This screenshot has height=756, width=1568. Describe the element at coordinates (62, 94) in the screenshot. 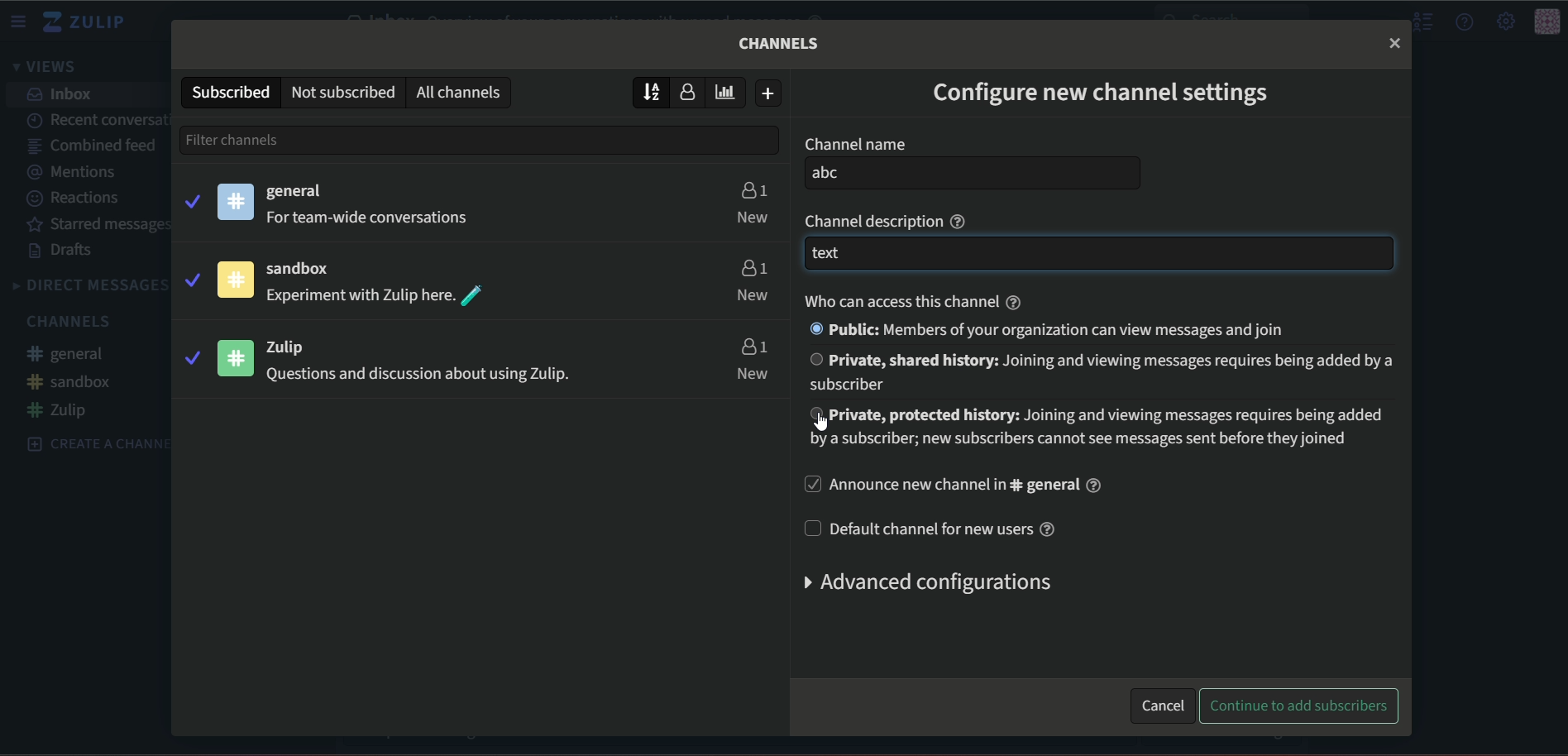

I see `inbox` at that location.